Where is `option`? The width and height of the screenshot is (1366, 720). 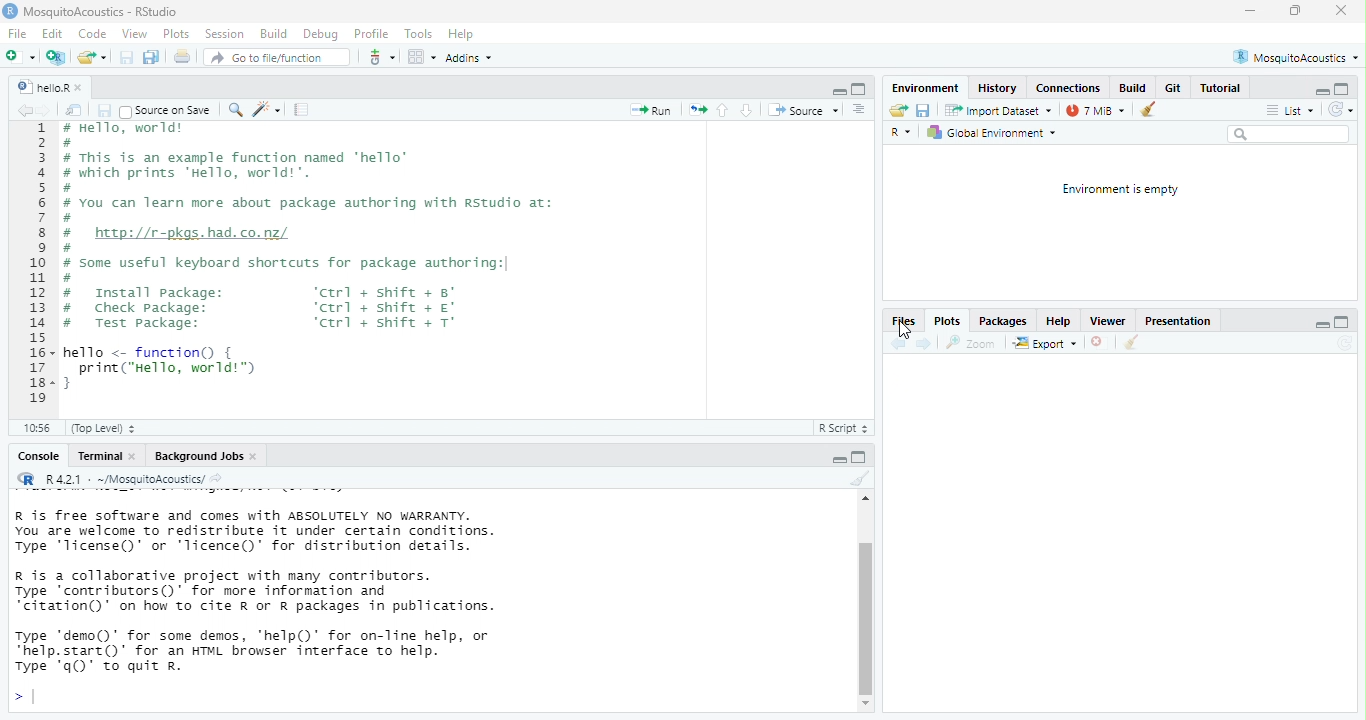 option is located at coordinates (421, 56).